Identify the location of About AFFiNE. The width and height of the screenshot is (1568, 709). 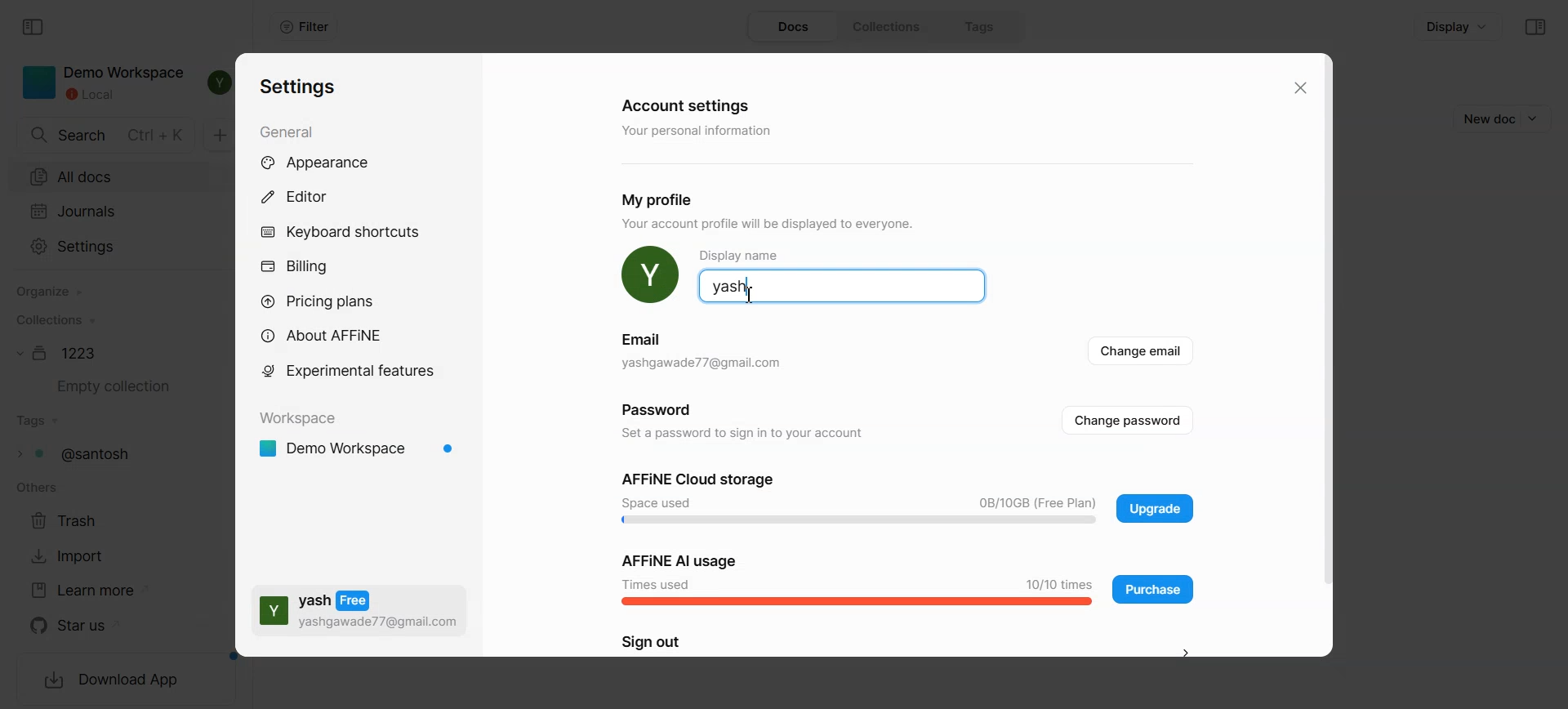
(327, 336).